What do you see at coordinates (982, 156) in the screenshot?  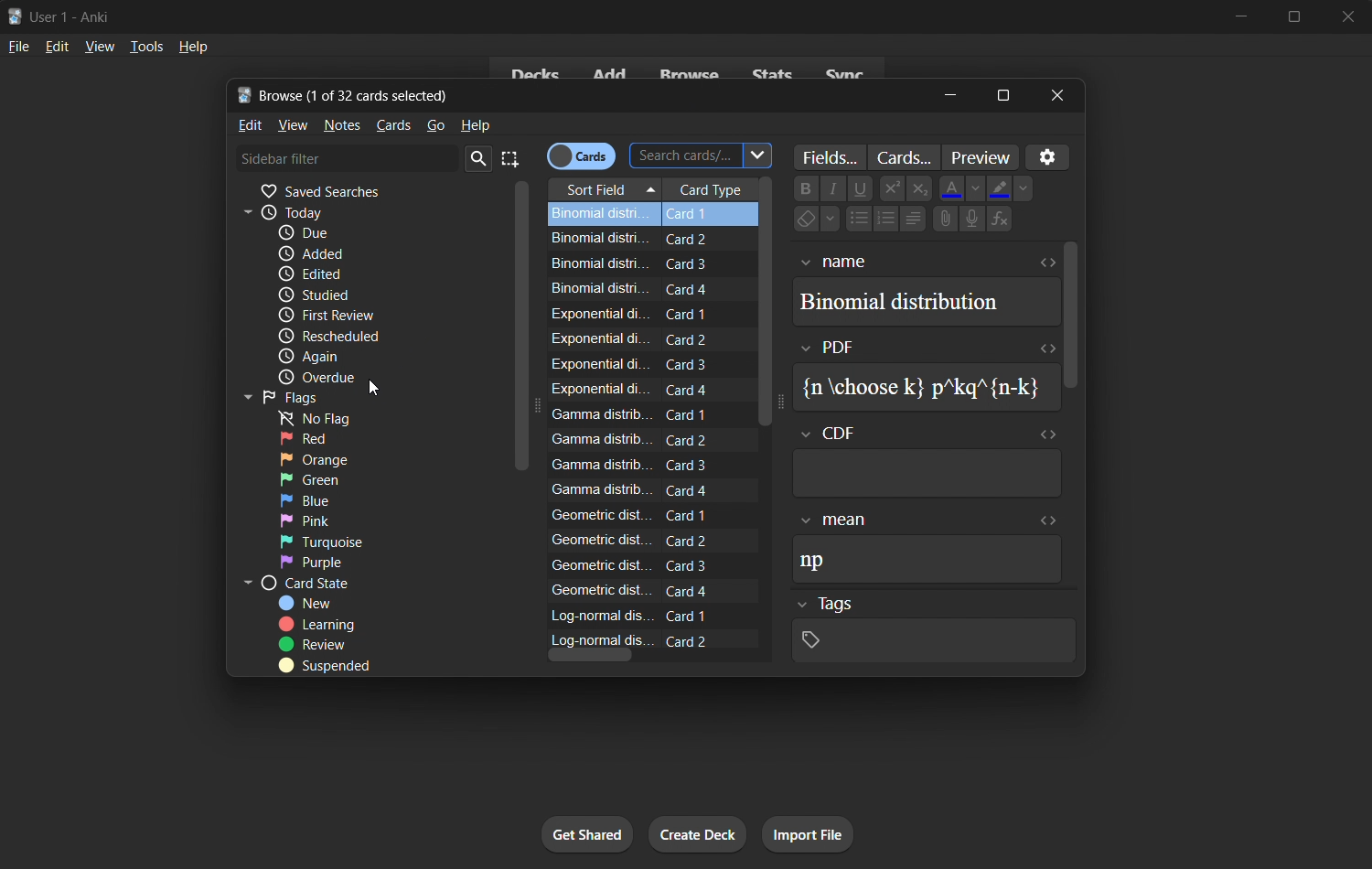 I see `preview selected cards` at bounding box center [982, 156].